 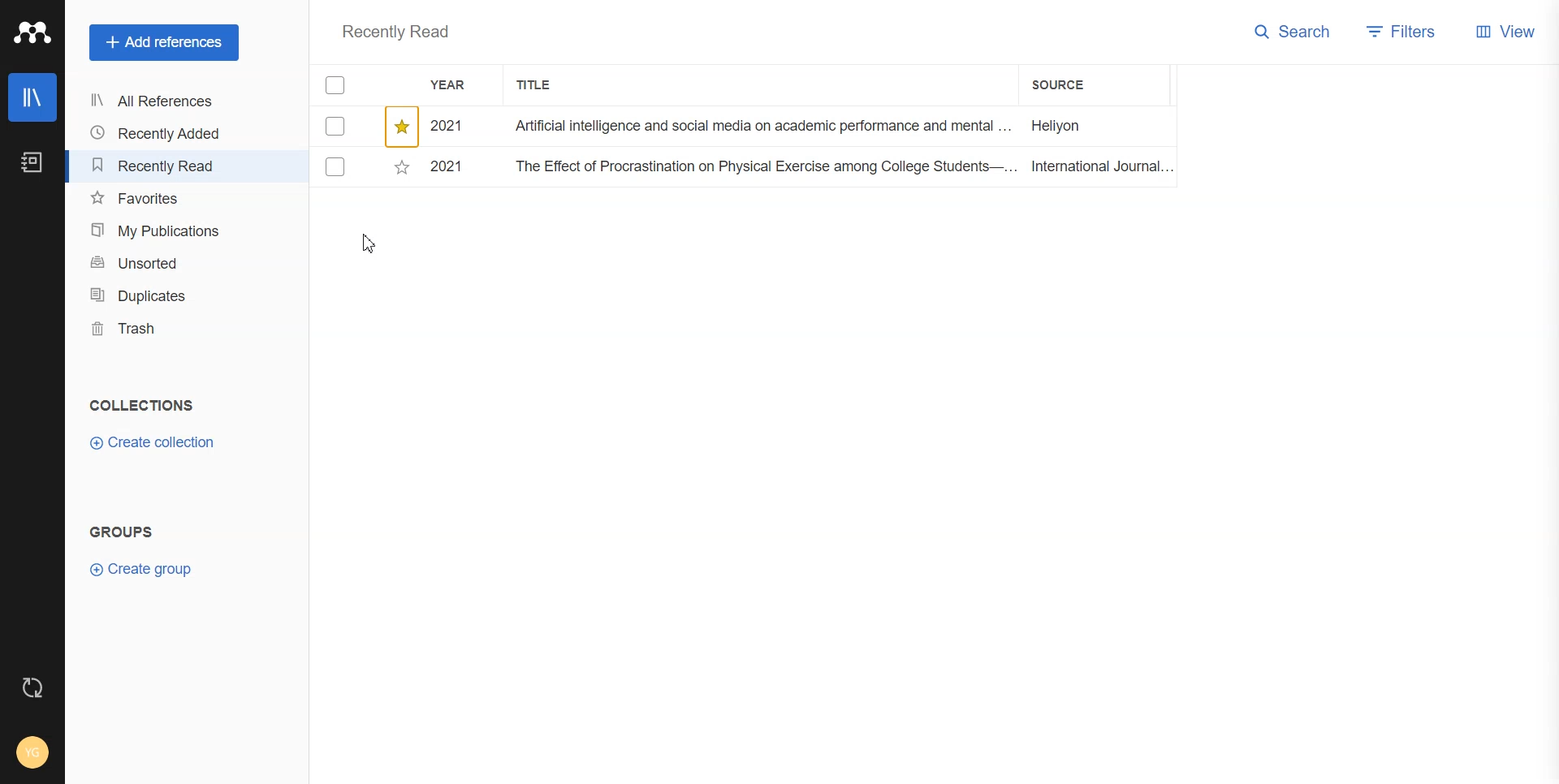 What do you see at coordinates (1294, 32) in the screenshot?
I see `Search` at bounding box center [1294, 32].